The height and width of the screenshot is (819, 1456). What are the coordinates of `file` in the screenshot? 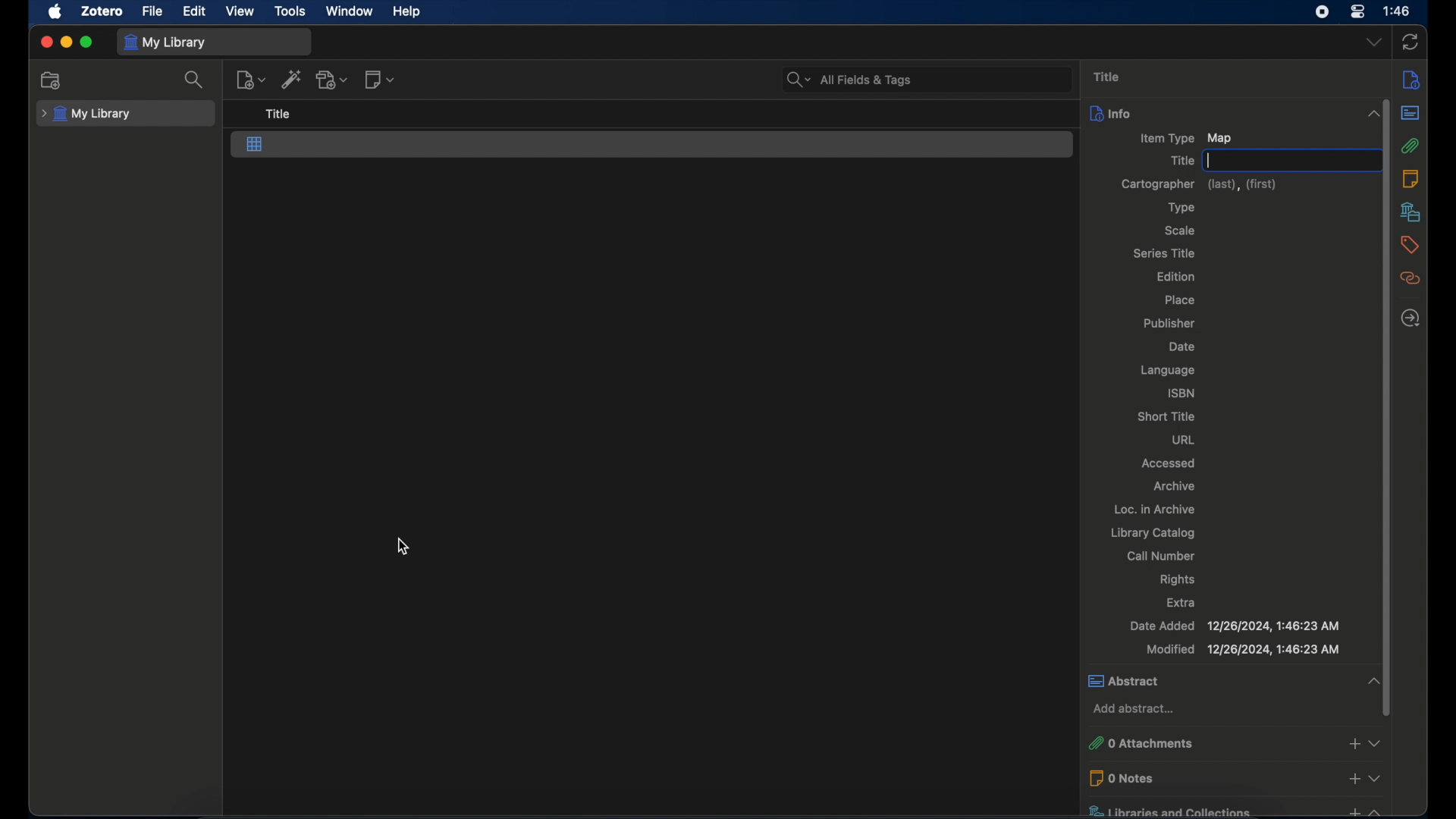 It's located at (152, 11).